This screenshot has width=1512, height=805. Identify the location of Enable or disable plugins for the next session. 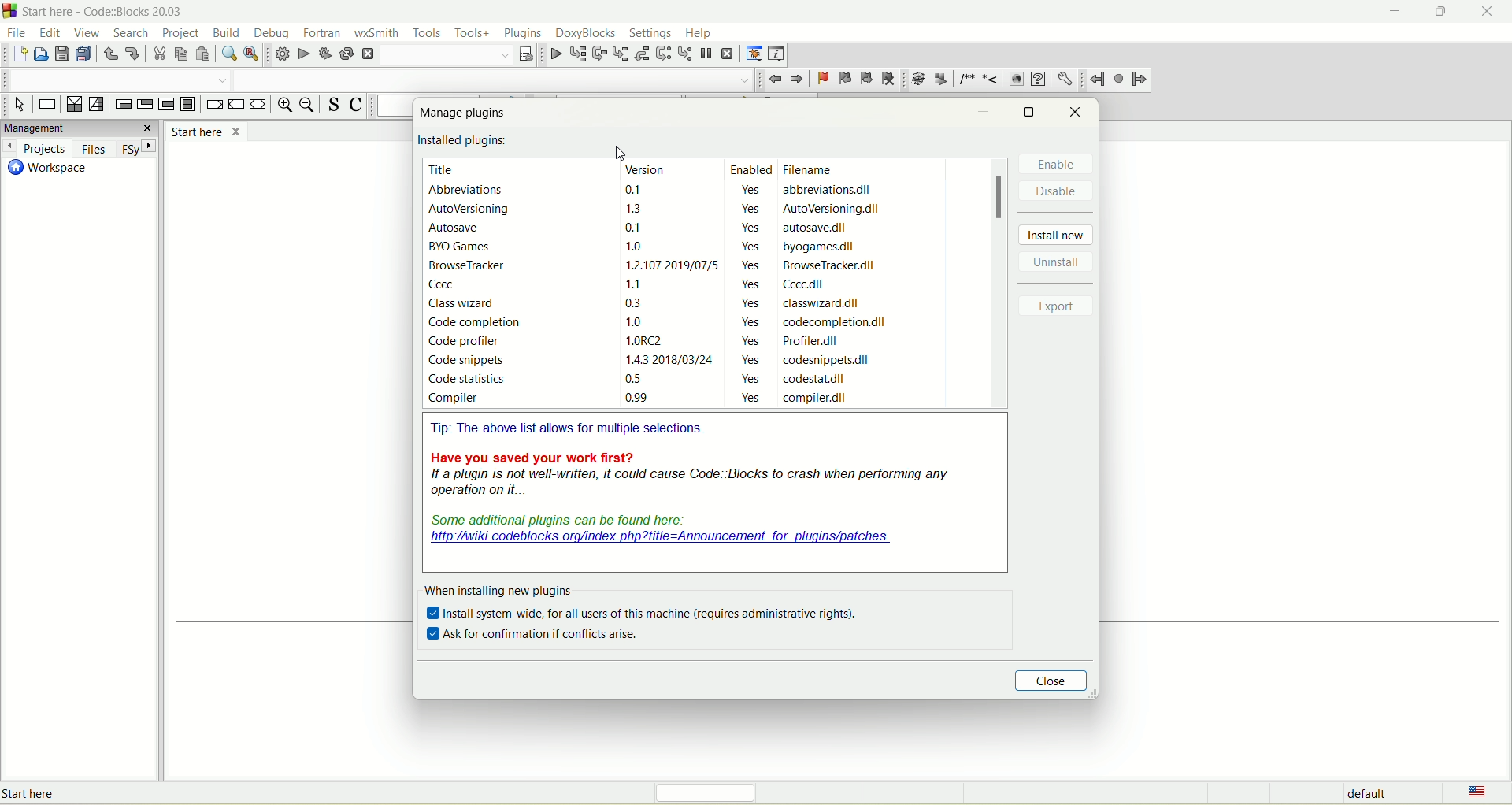
(123, 792).